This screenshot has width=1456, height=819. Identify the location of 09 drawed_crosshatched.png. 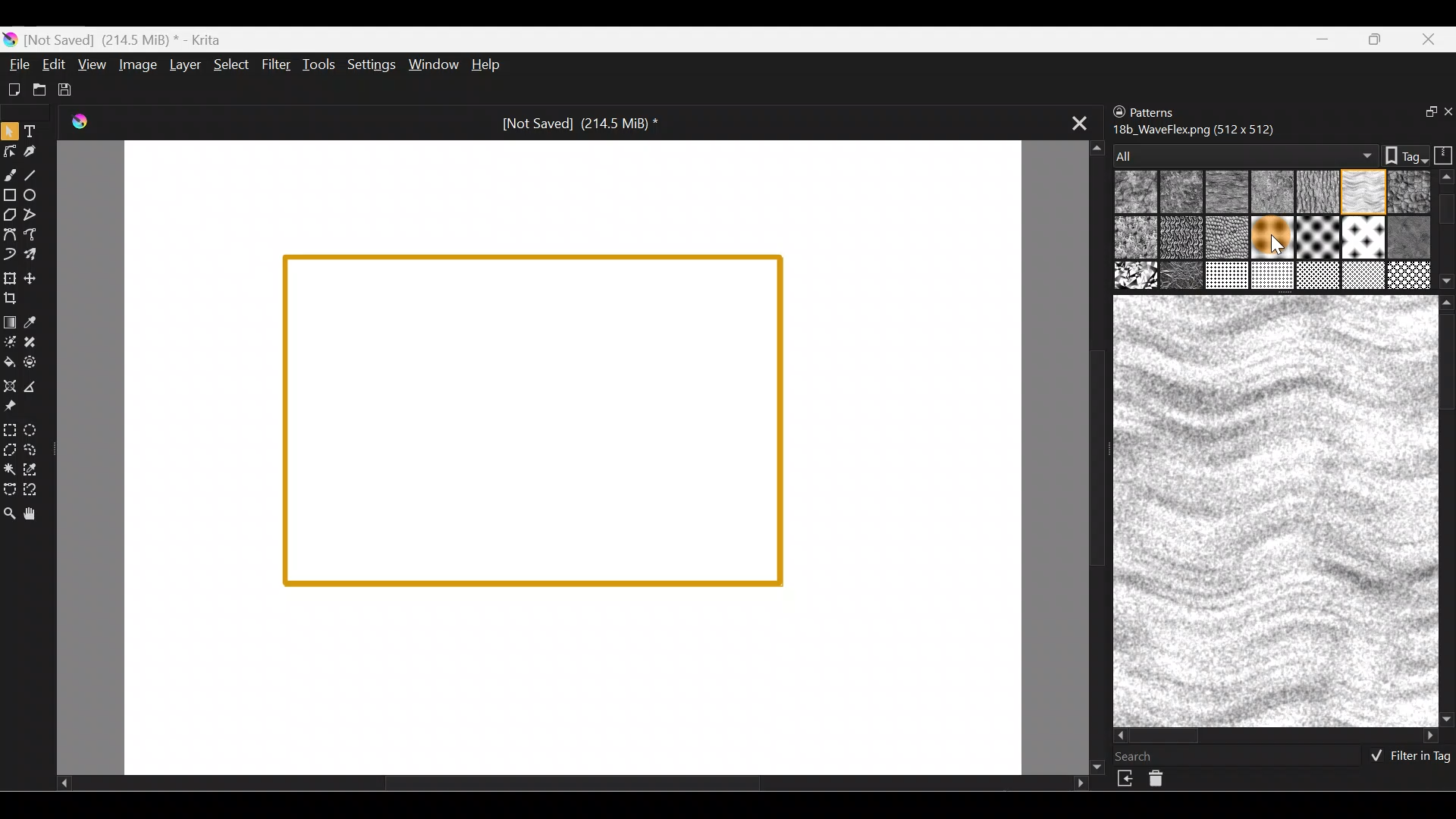
(1180, 239).